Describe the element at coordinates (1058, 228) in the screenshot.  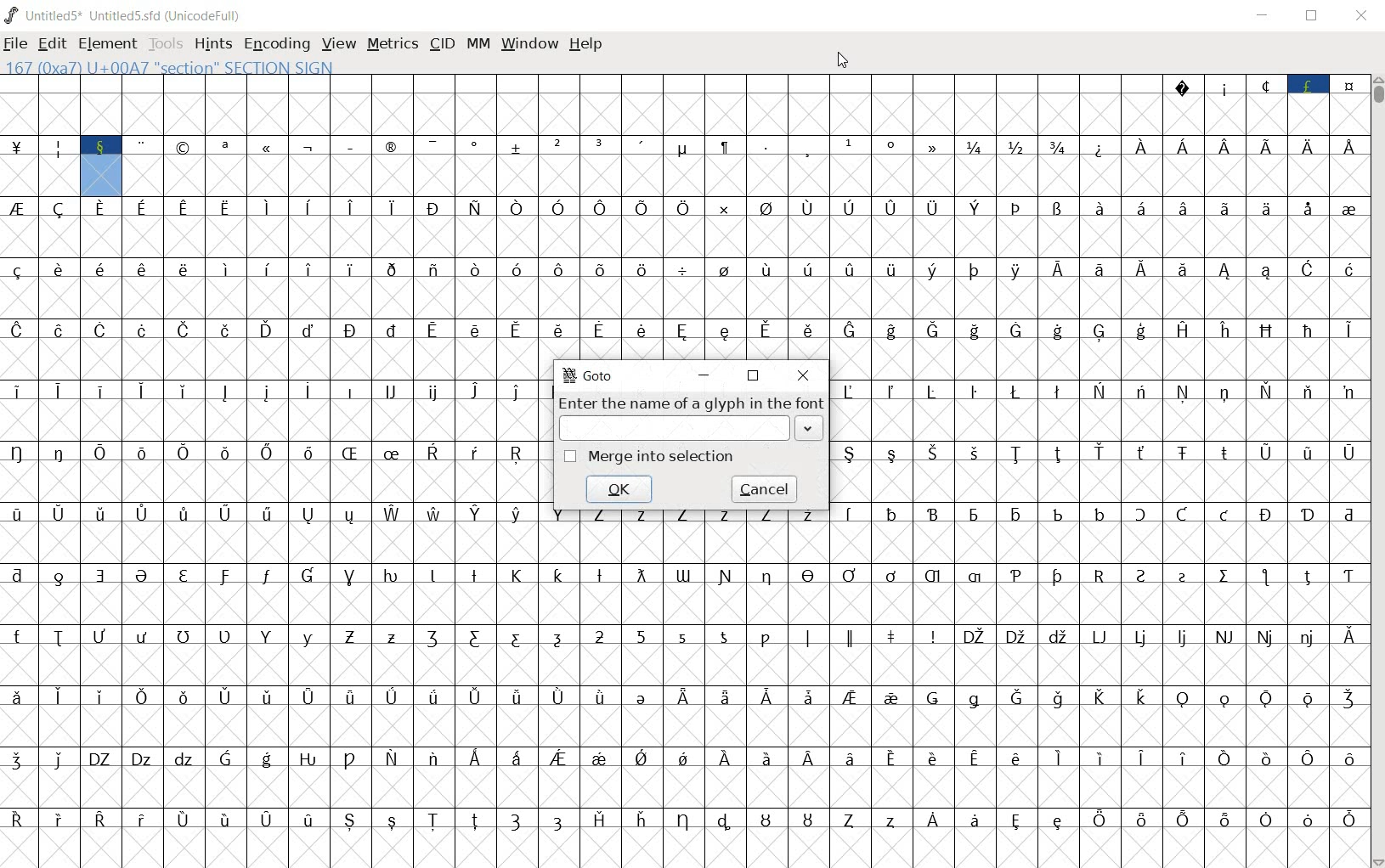
I see `accented characters` at that location.